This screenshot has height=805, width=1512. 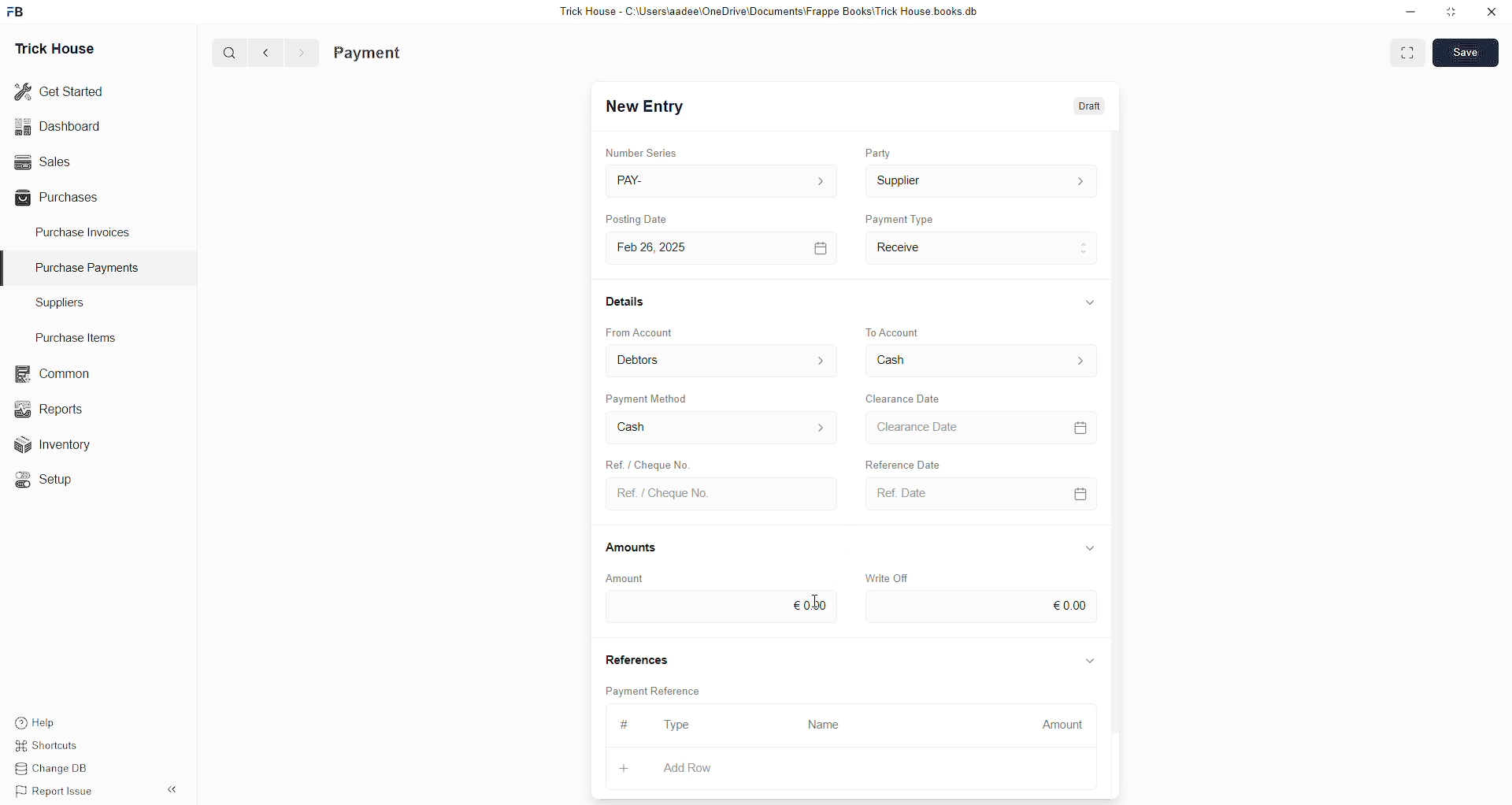 I want to click on To Account, so click(x=898, y=326).